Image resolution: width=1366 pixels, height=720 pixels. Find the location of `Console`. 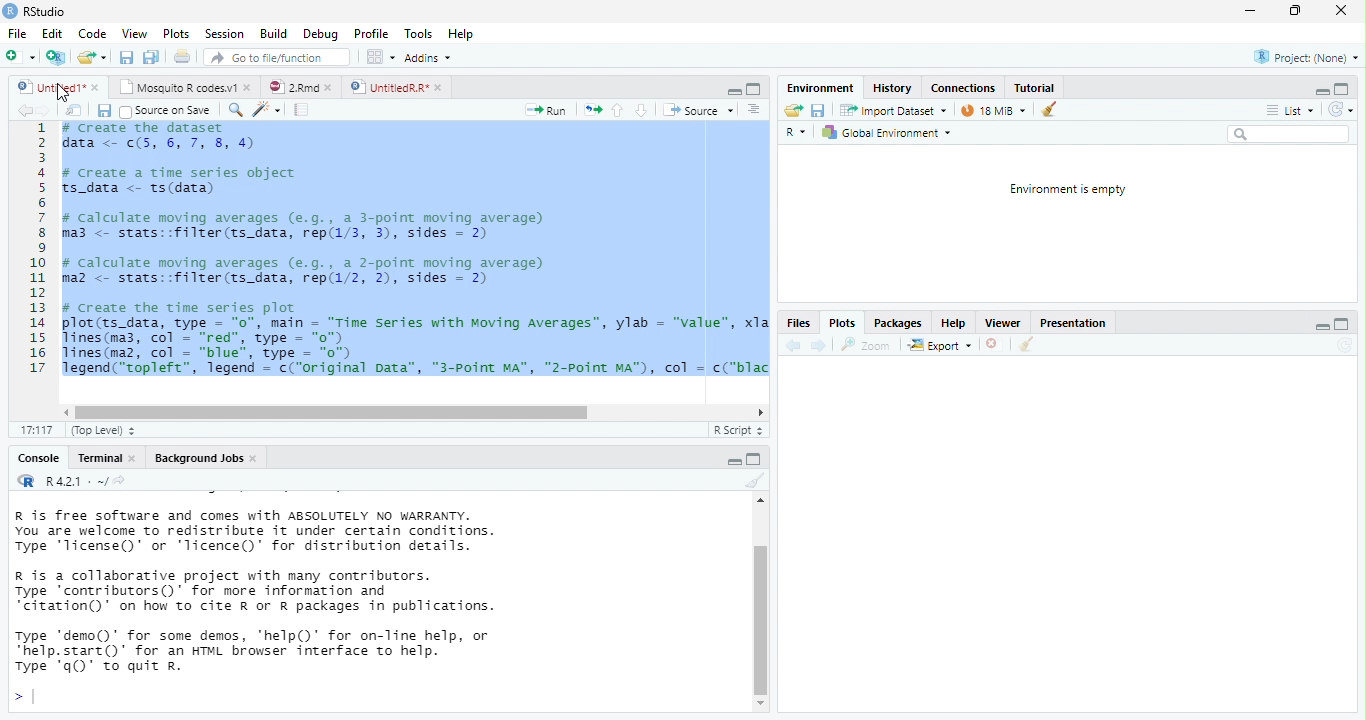

Console is located at coordinates (37, 459).